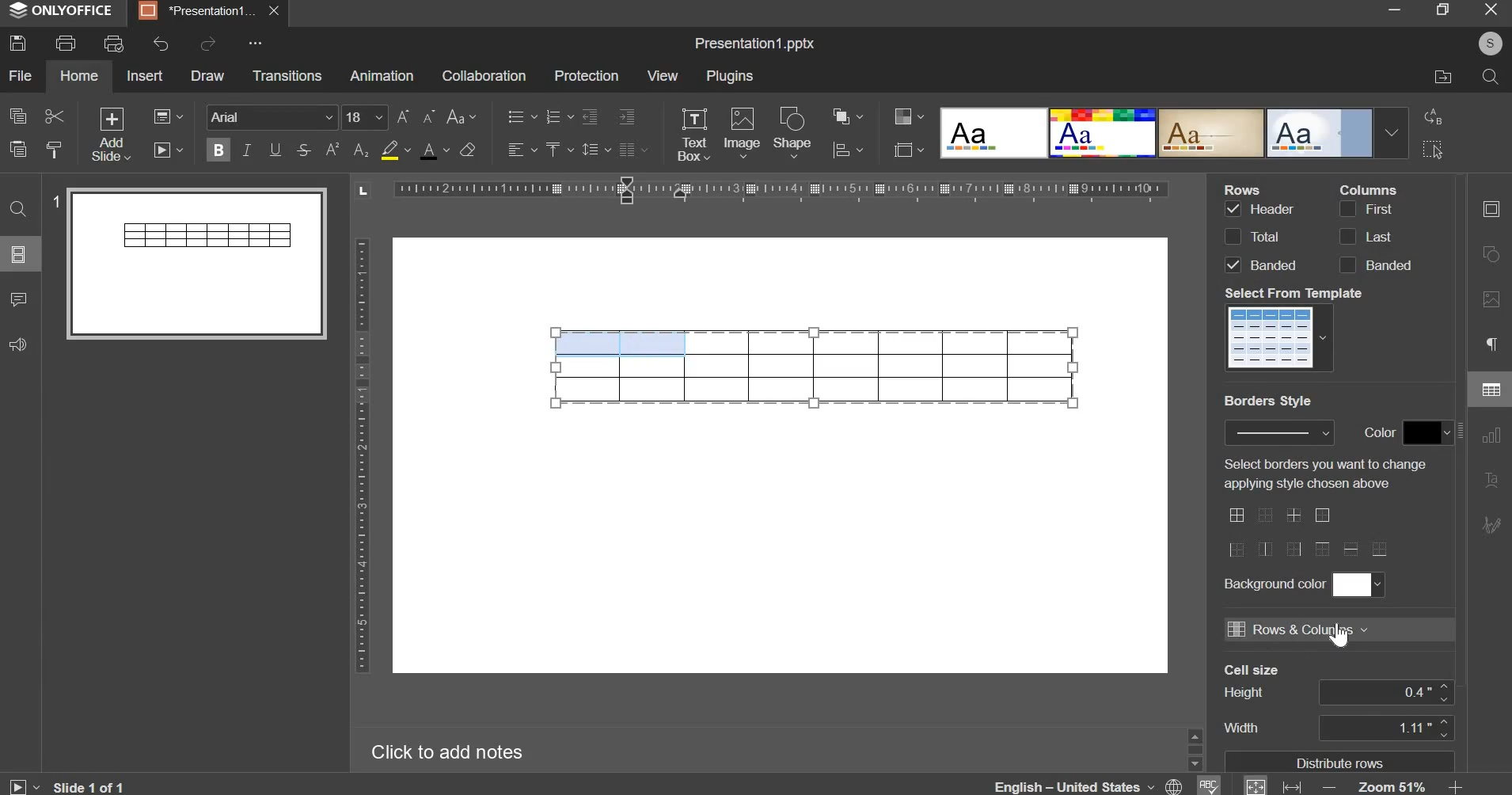 This screenshot has width=1512, height=795. I want to click on vertical alignment, so click(557, 149).